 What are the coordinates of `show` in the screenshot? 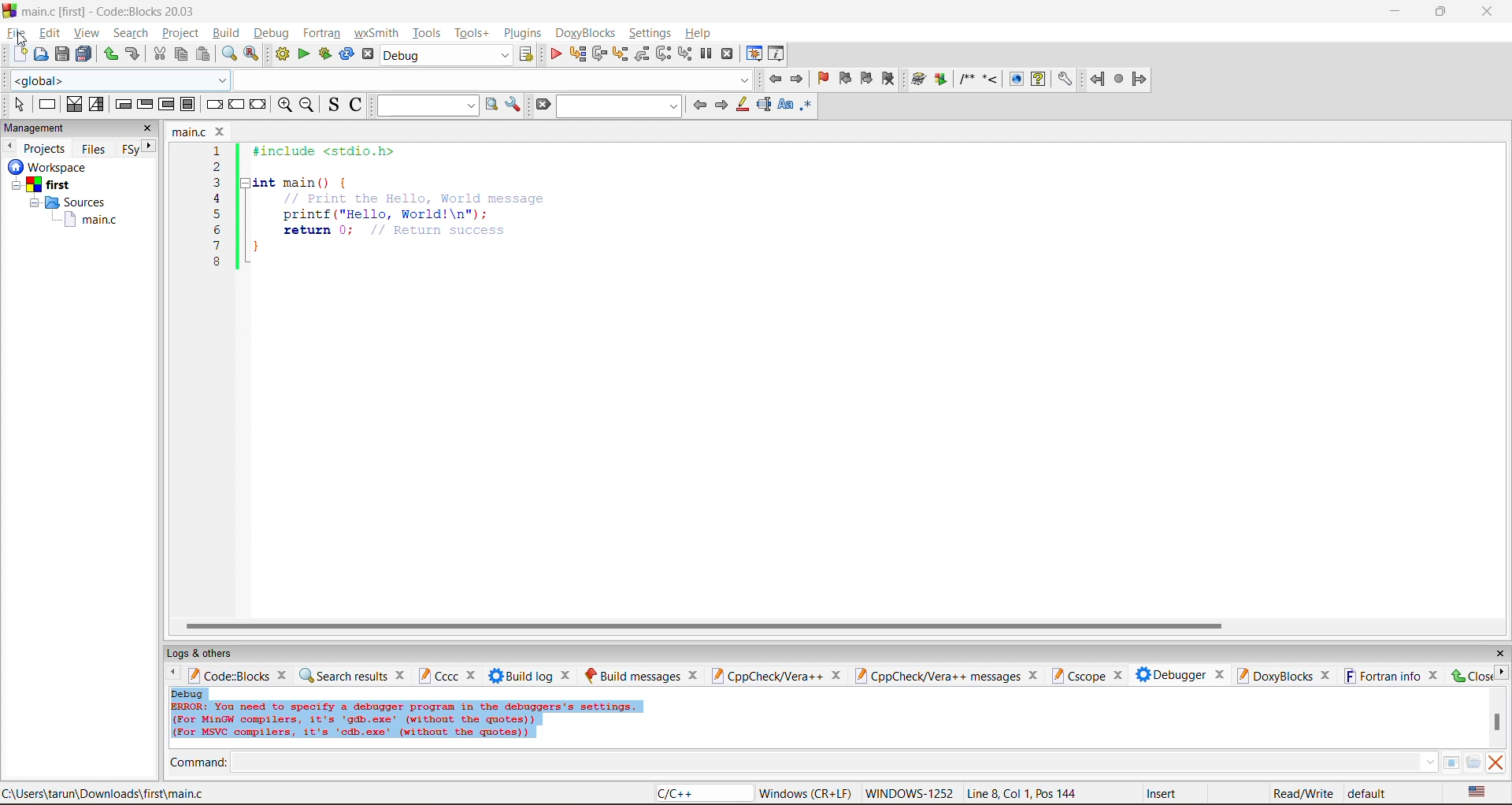 It's located at (1014, 79).